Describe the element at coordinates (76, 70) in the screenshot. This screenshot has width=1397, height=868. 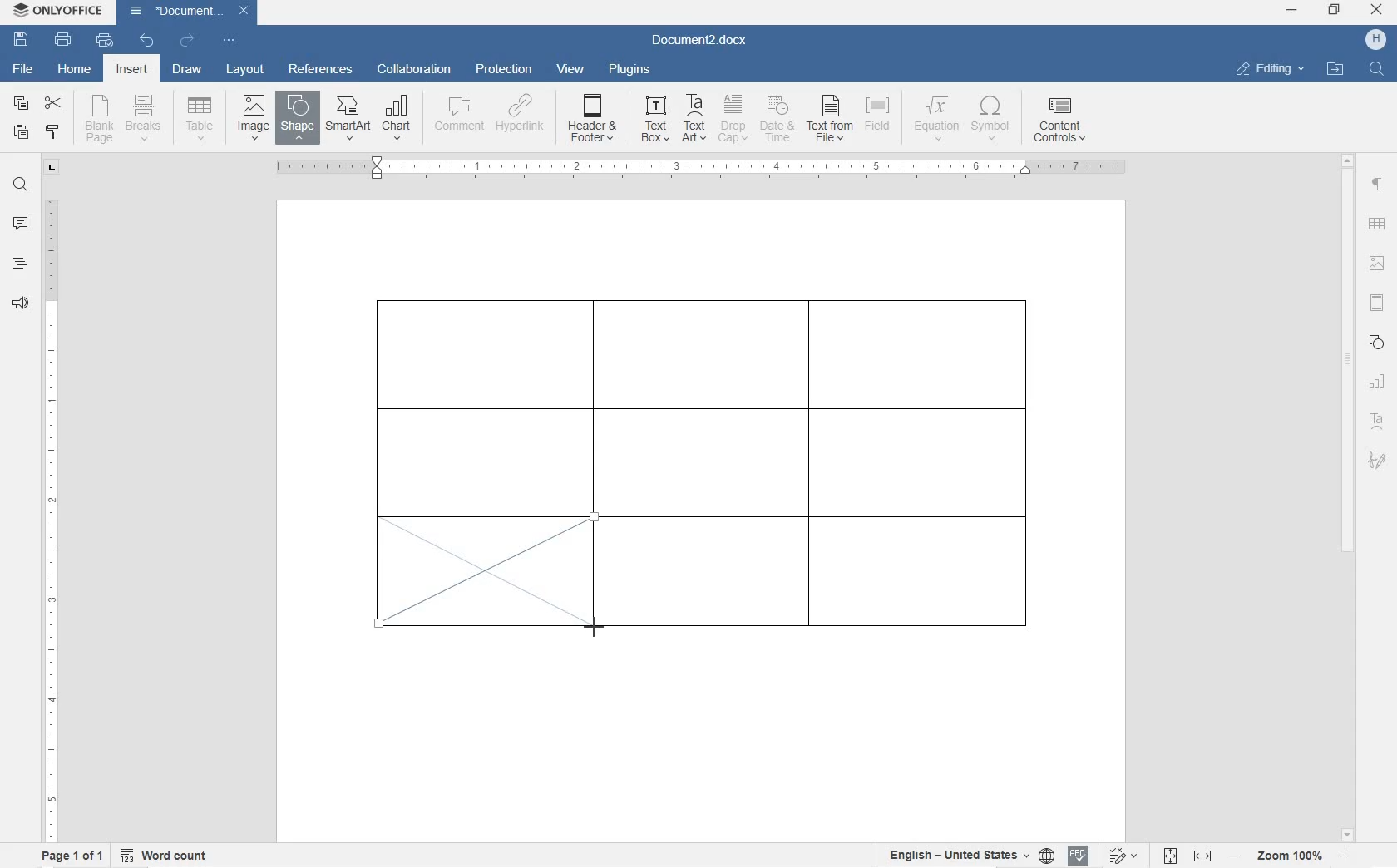
I see `home` at that location.